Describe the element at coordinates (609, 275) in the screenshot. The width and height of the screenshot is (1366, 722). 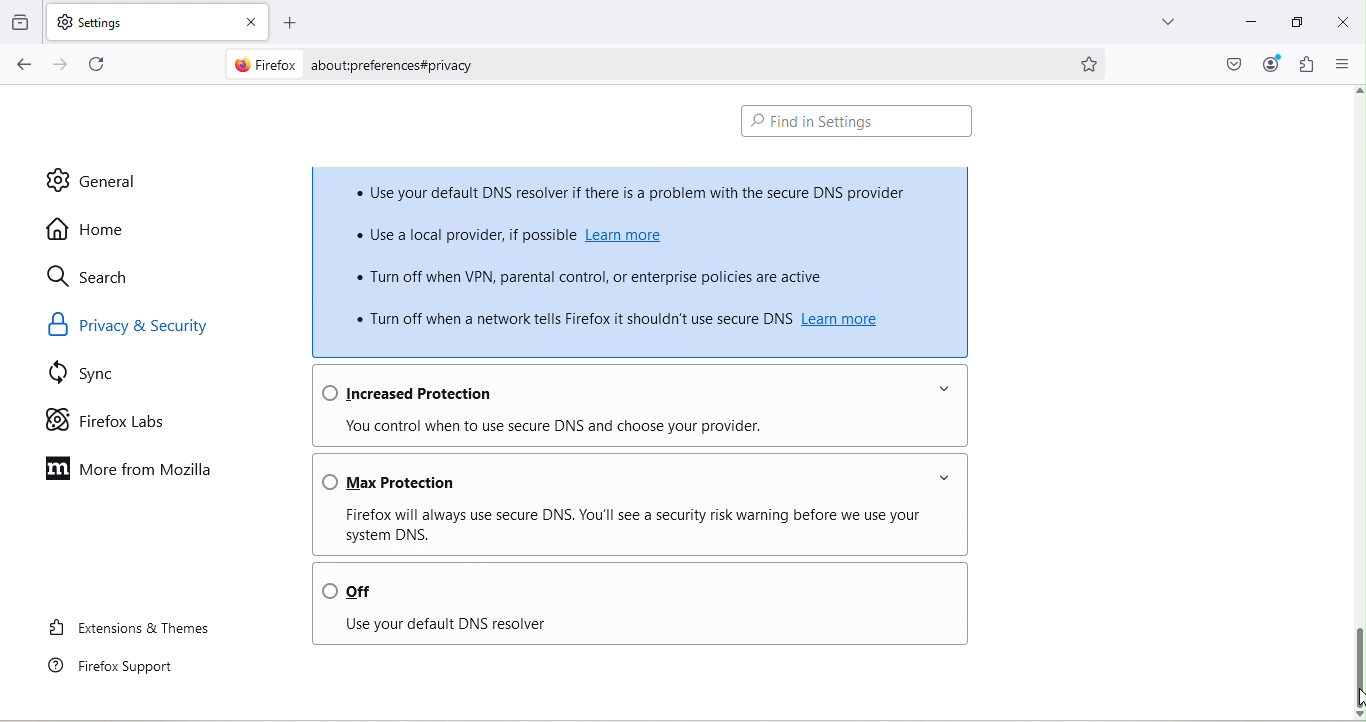
I see `« Turn off when VPN, parental control, or enterprise policies are active` at that location.